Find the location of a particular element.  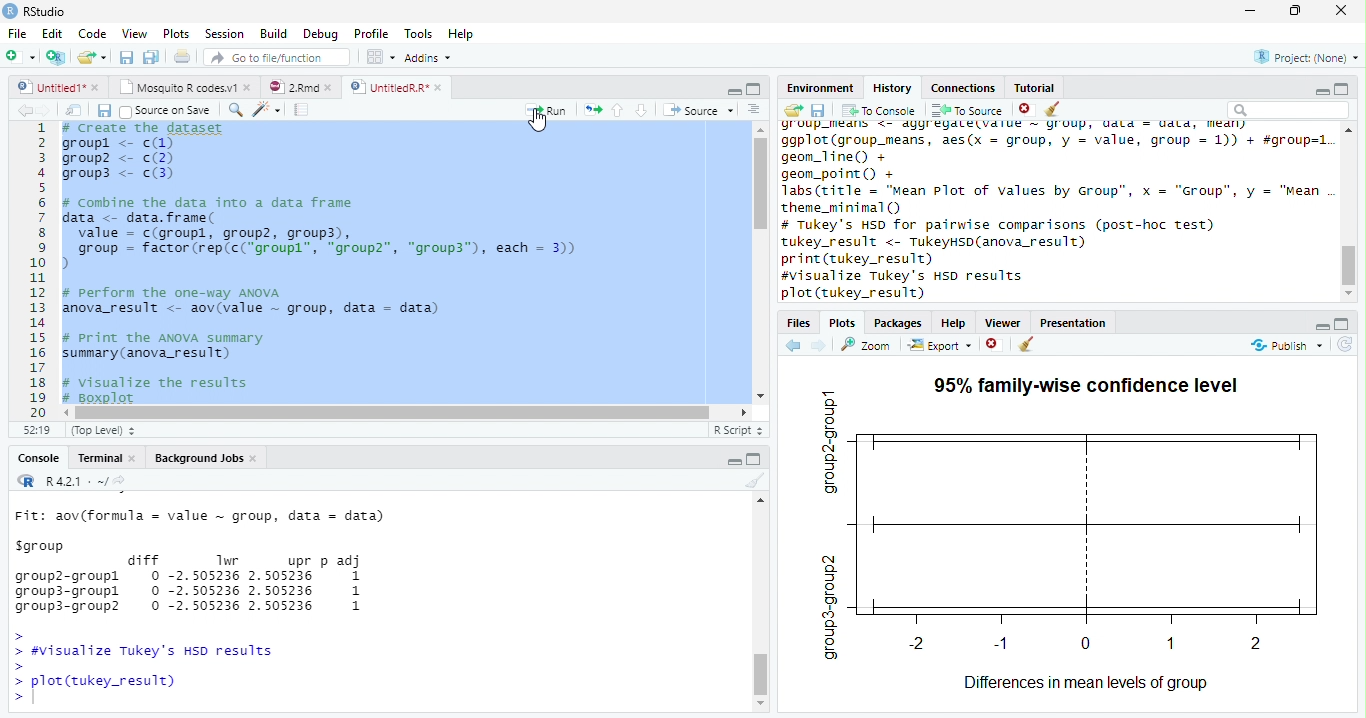

Project (None) is located at coordinates (1305, 57).